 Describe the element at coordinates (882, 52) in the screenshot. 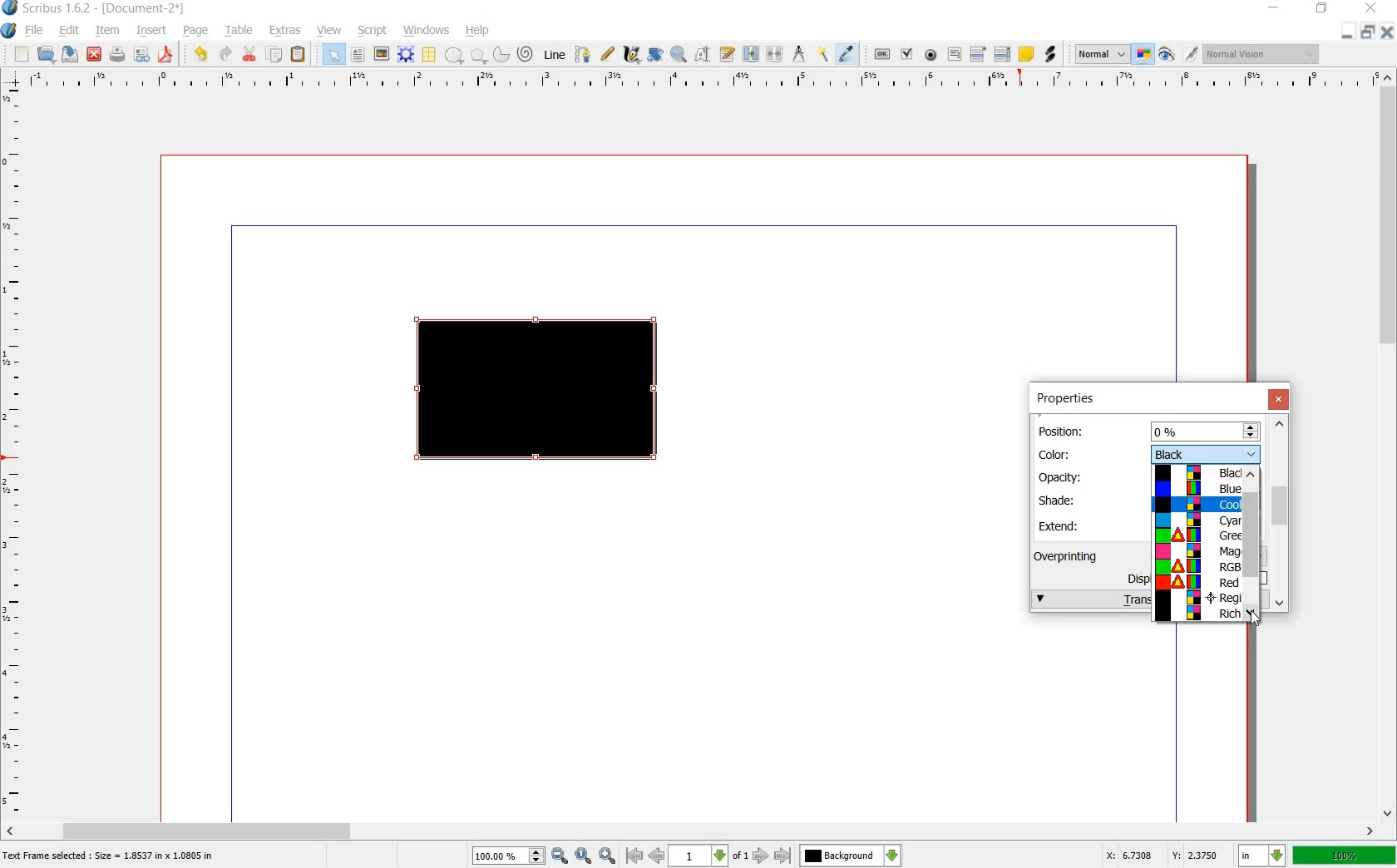

I see `pdf push button` at that location.